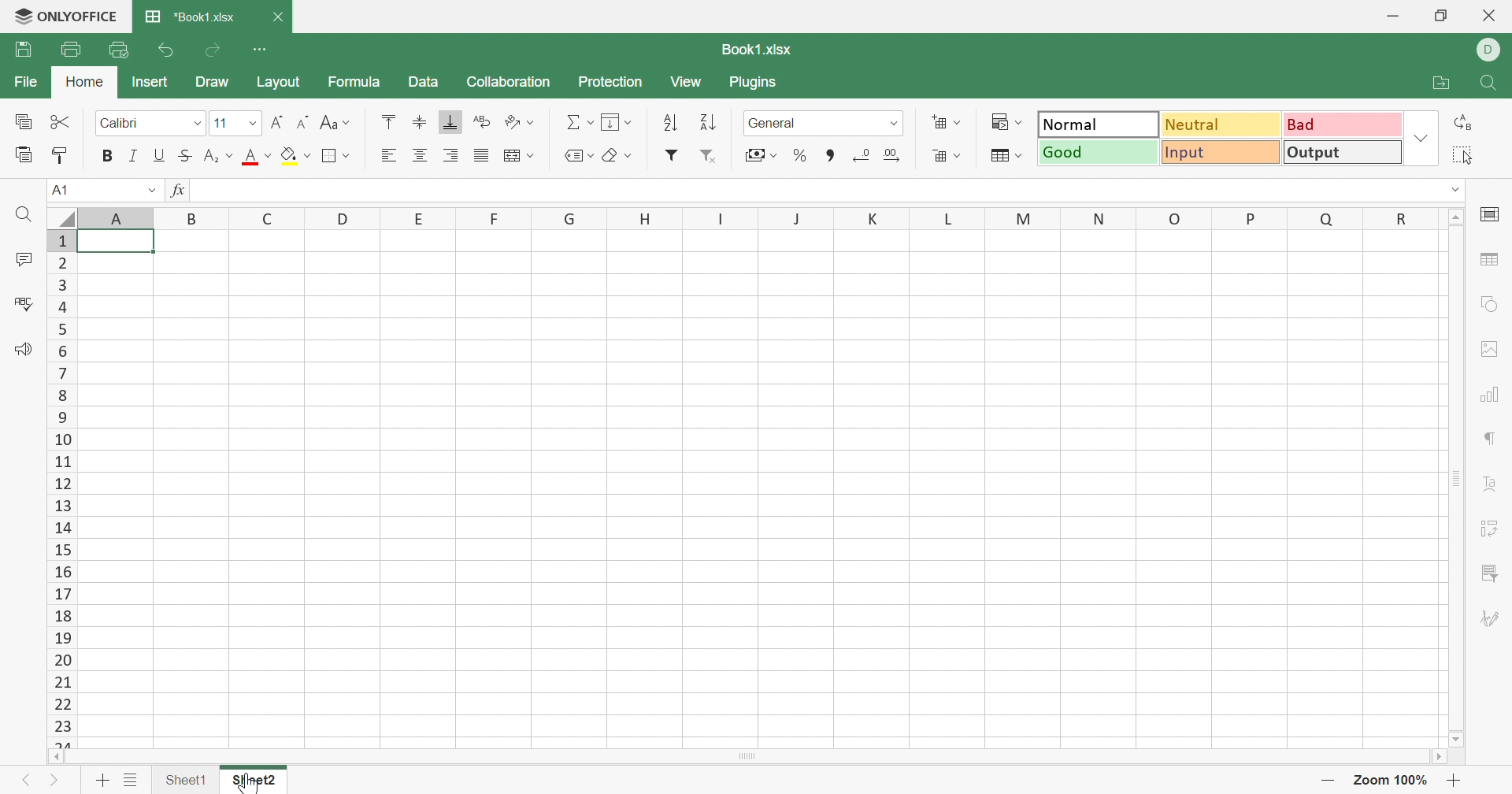 This screenshot has width=1512, height=794. What do you see at coordinates (102, 779) in the screenshot?
I see `Add sheet` at bounding box center [102, 779].